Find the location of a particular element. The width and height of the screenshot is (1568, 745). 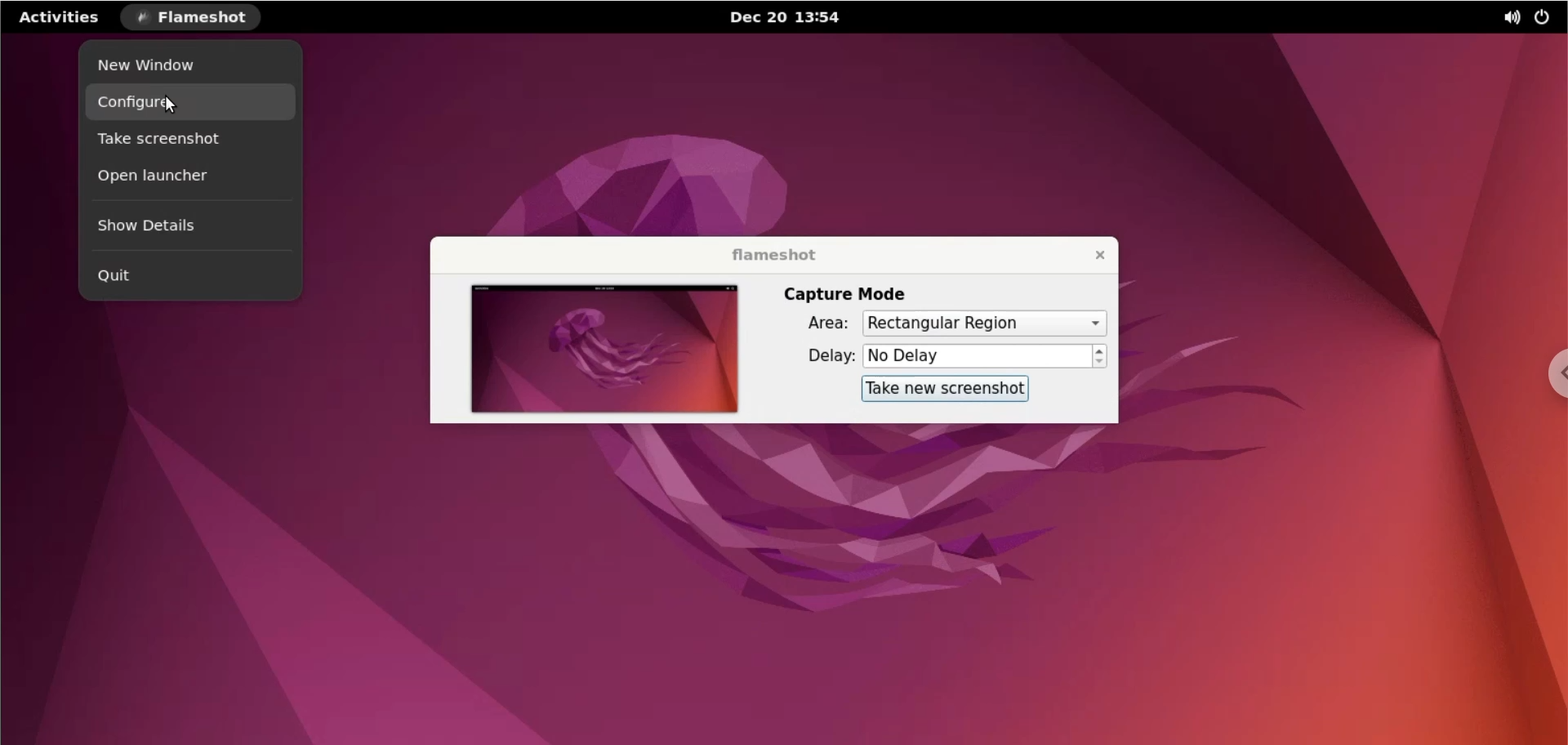

increment or decrement delay is located at coordinates (1102, 356).